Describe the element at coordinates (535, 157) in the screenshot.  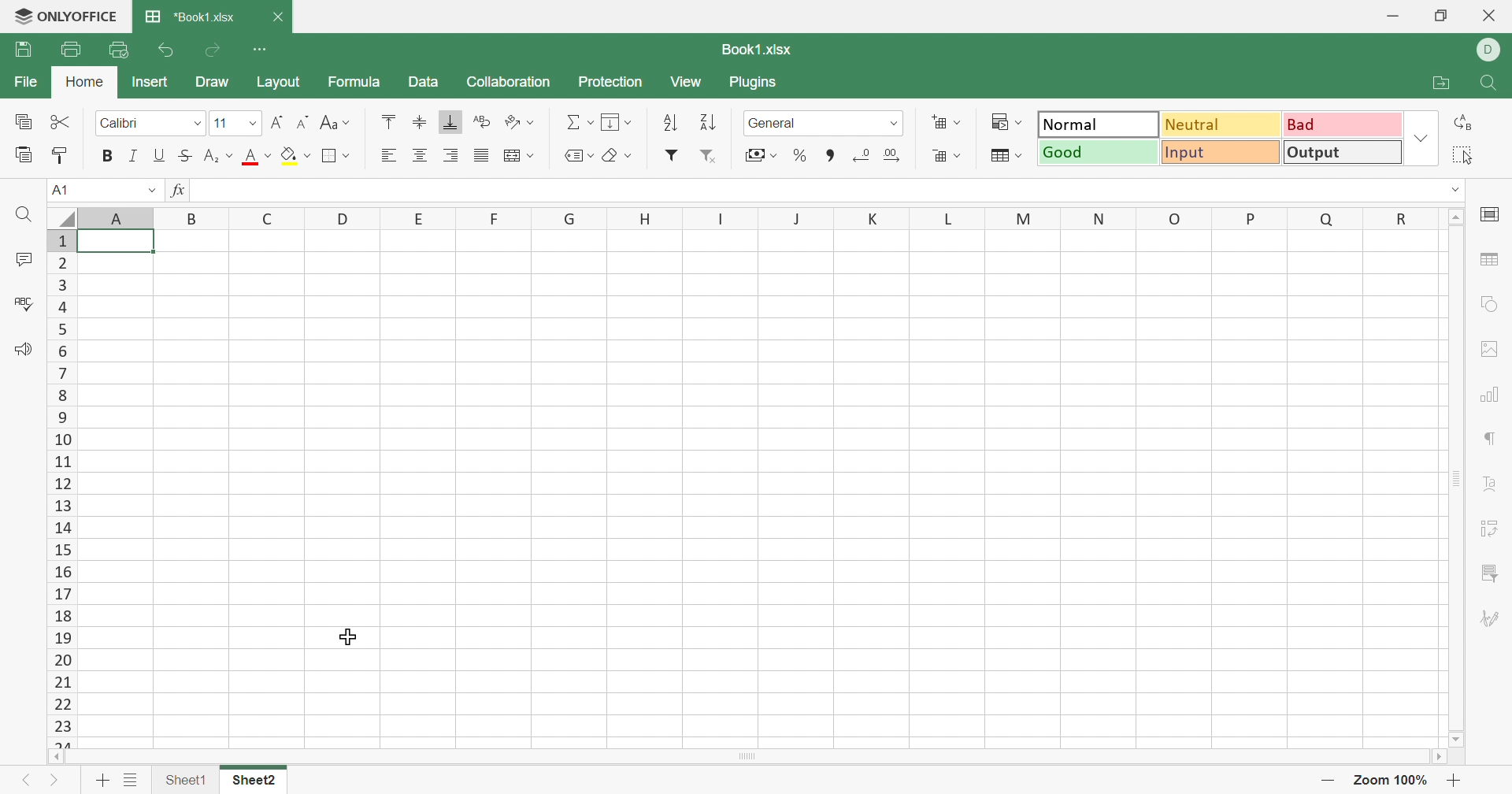
I see `Merge and center drop down` at that location.